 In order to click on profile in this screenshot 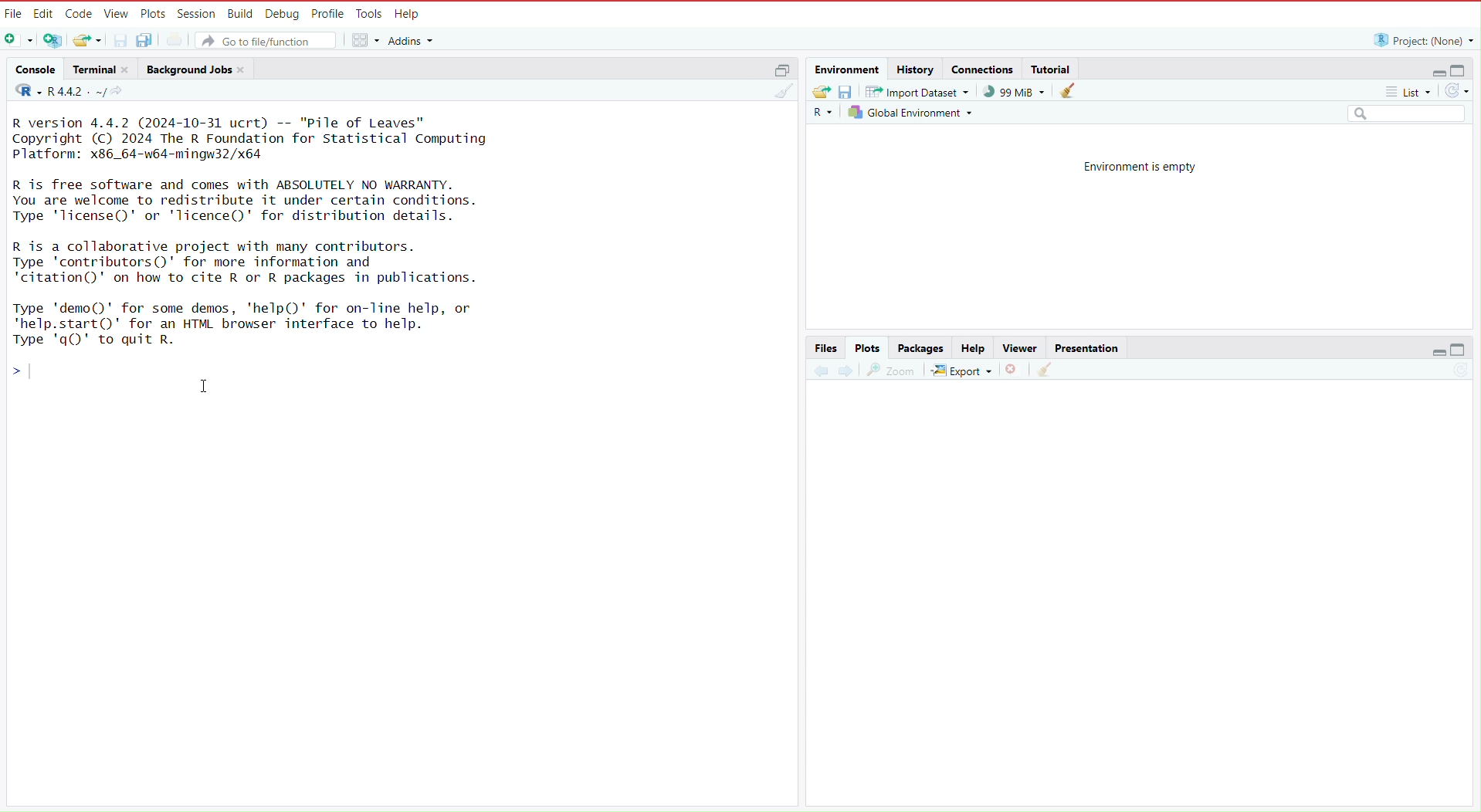, I will do `click(329, 12)`.